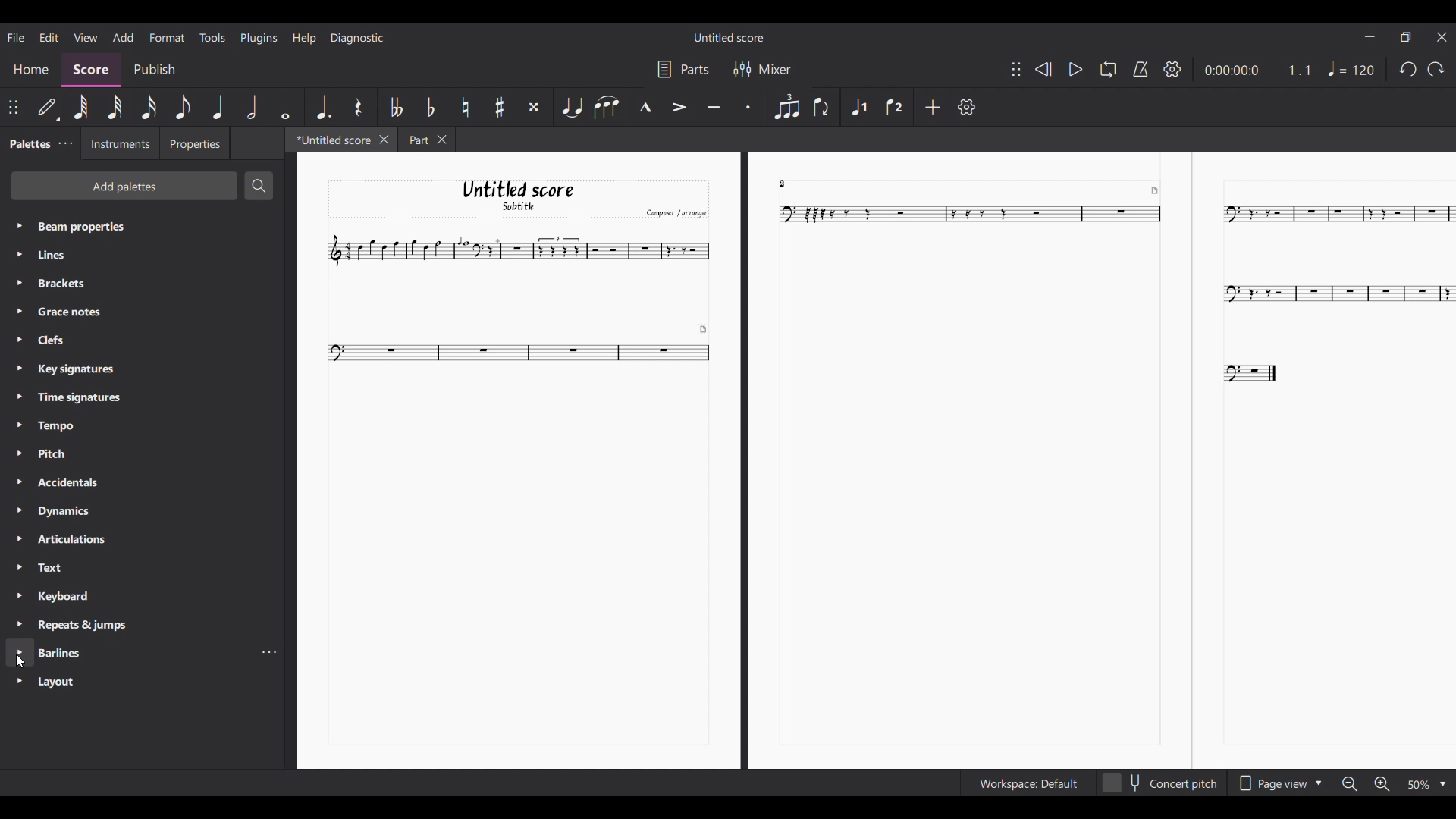  Describe the element at coordinates (166, 37) in the screenshot. I see `Format menu` at that location.